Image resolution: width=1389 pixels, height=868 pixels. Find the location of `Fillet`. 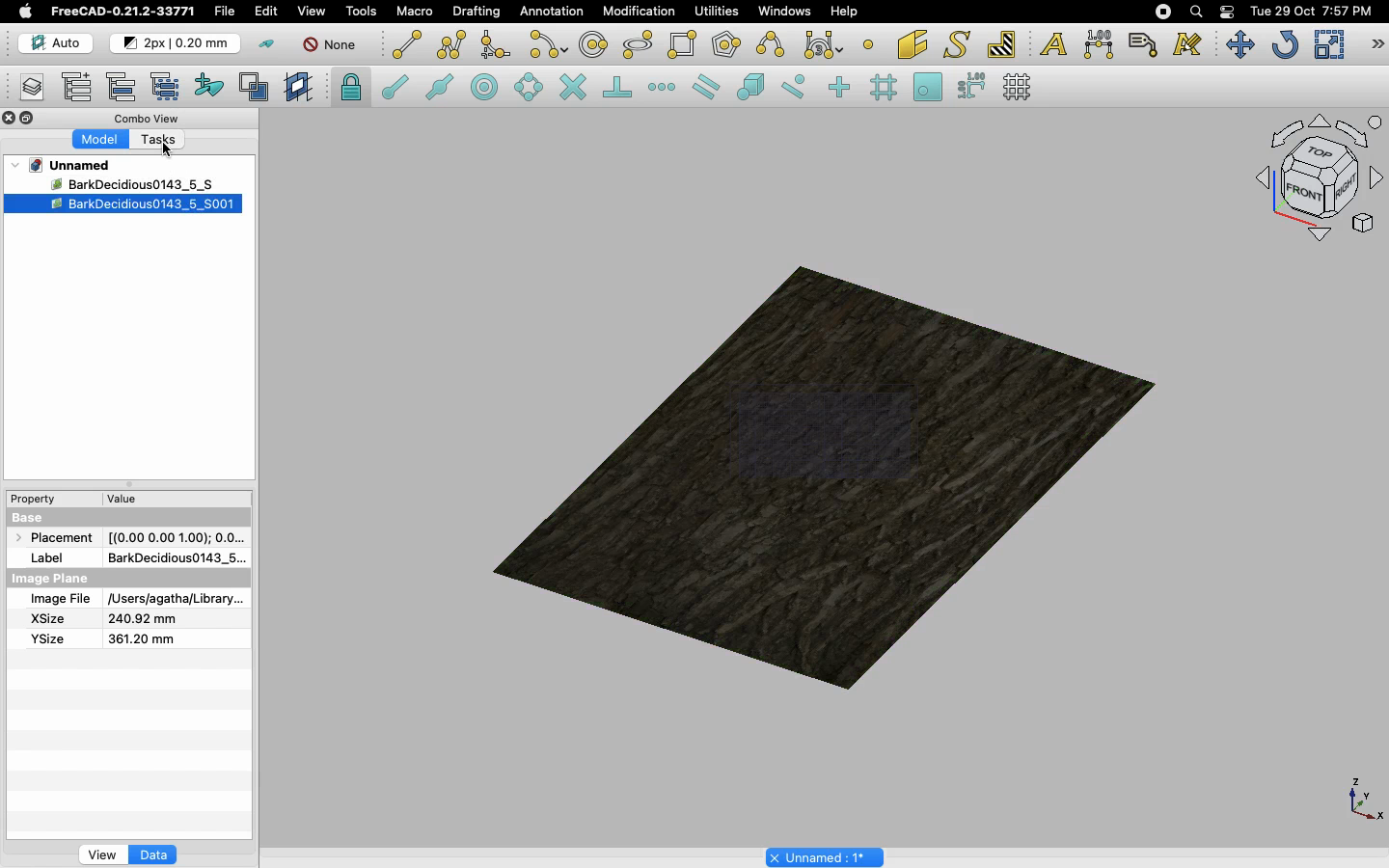

Fillet is located at coordinates (494, 47).